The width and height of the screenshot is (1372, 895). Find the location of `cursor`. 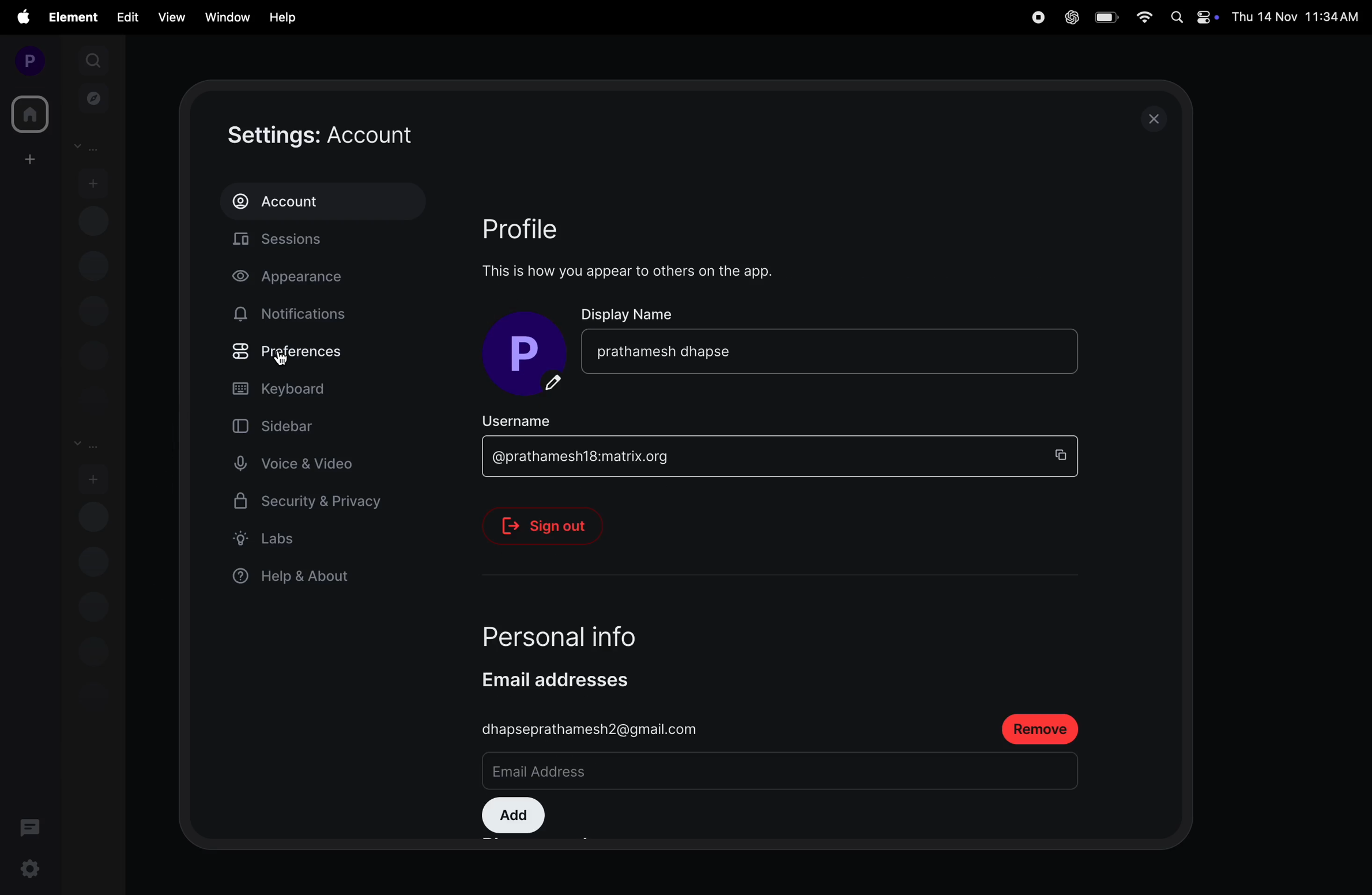

cursor is located at coordinates (284, 356).